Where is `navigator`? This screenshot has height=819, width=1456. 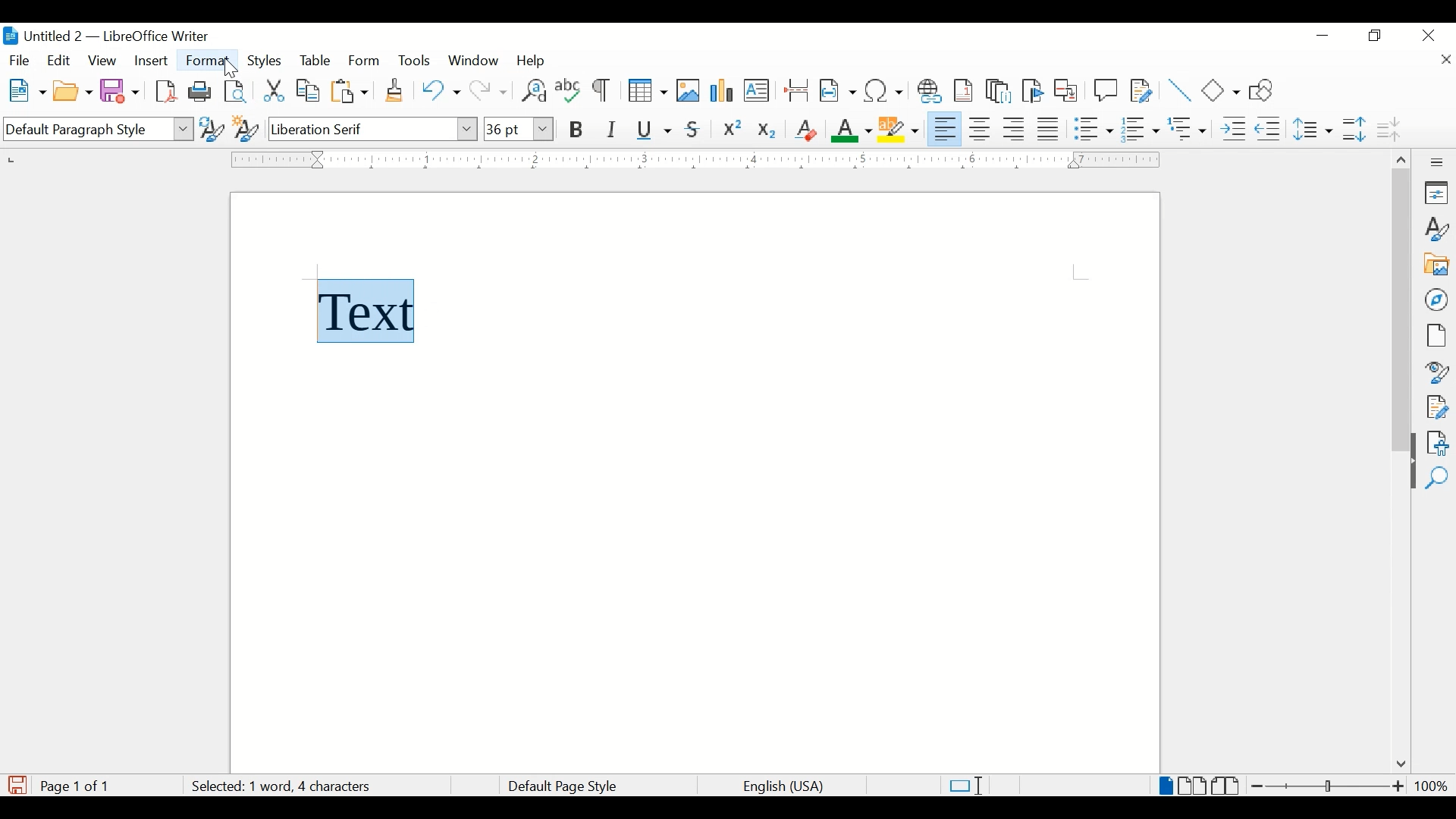 navigator is located at coordinates (1438, 300).